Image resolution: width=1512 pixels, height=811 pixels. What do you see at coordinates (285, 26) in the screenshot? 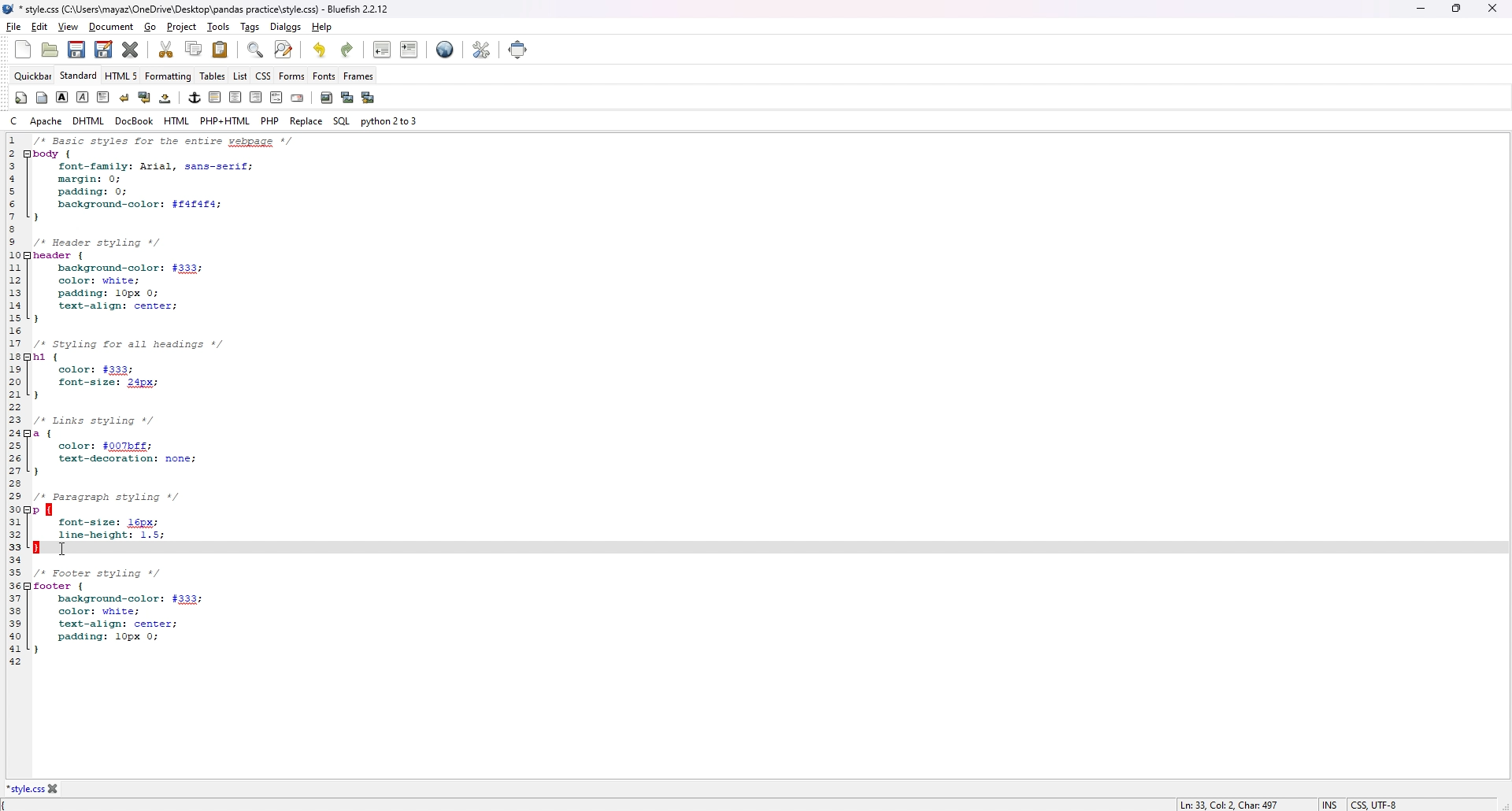
I see `dialogs` at bounding box center [285, 26].